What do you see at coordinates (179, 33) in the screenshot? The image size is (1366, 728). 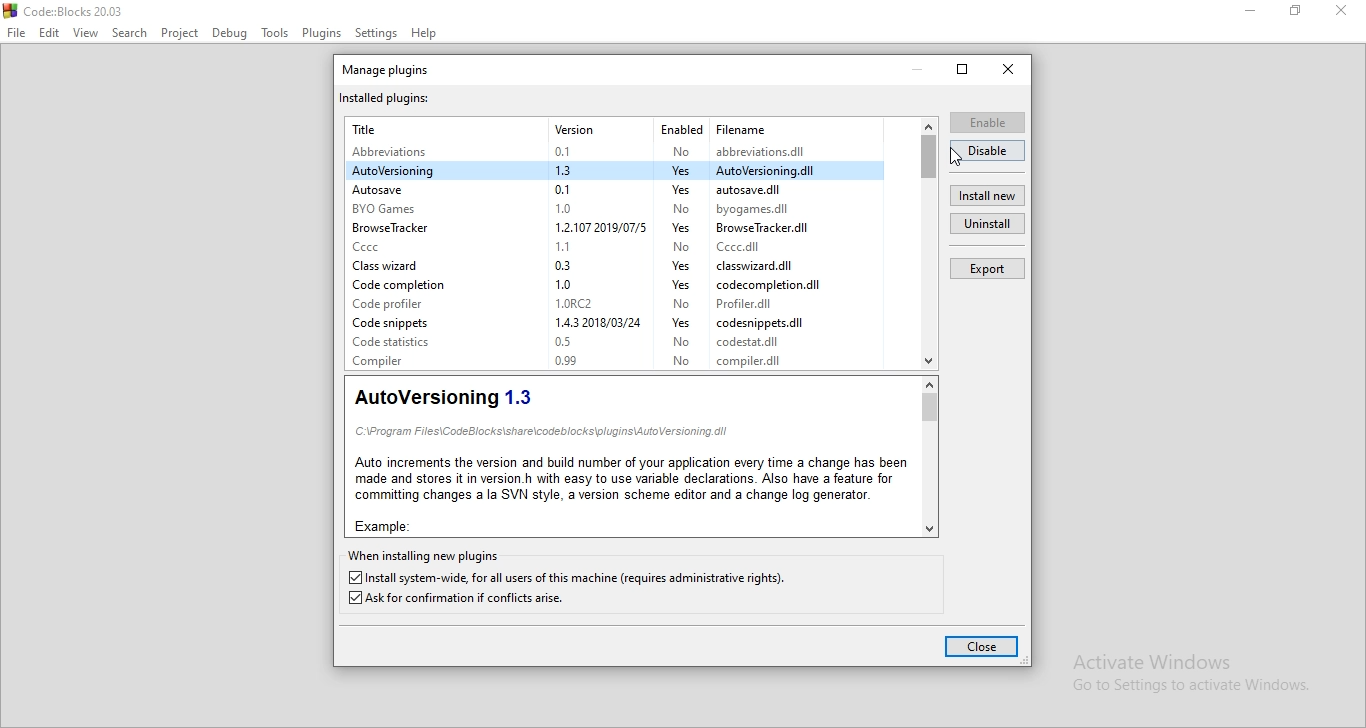 I see `Project` at bounding box center [179, 33].